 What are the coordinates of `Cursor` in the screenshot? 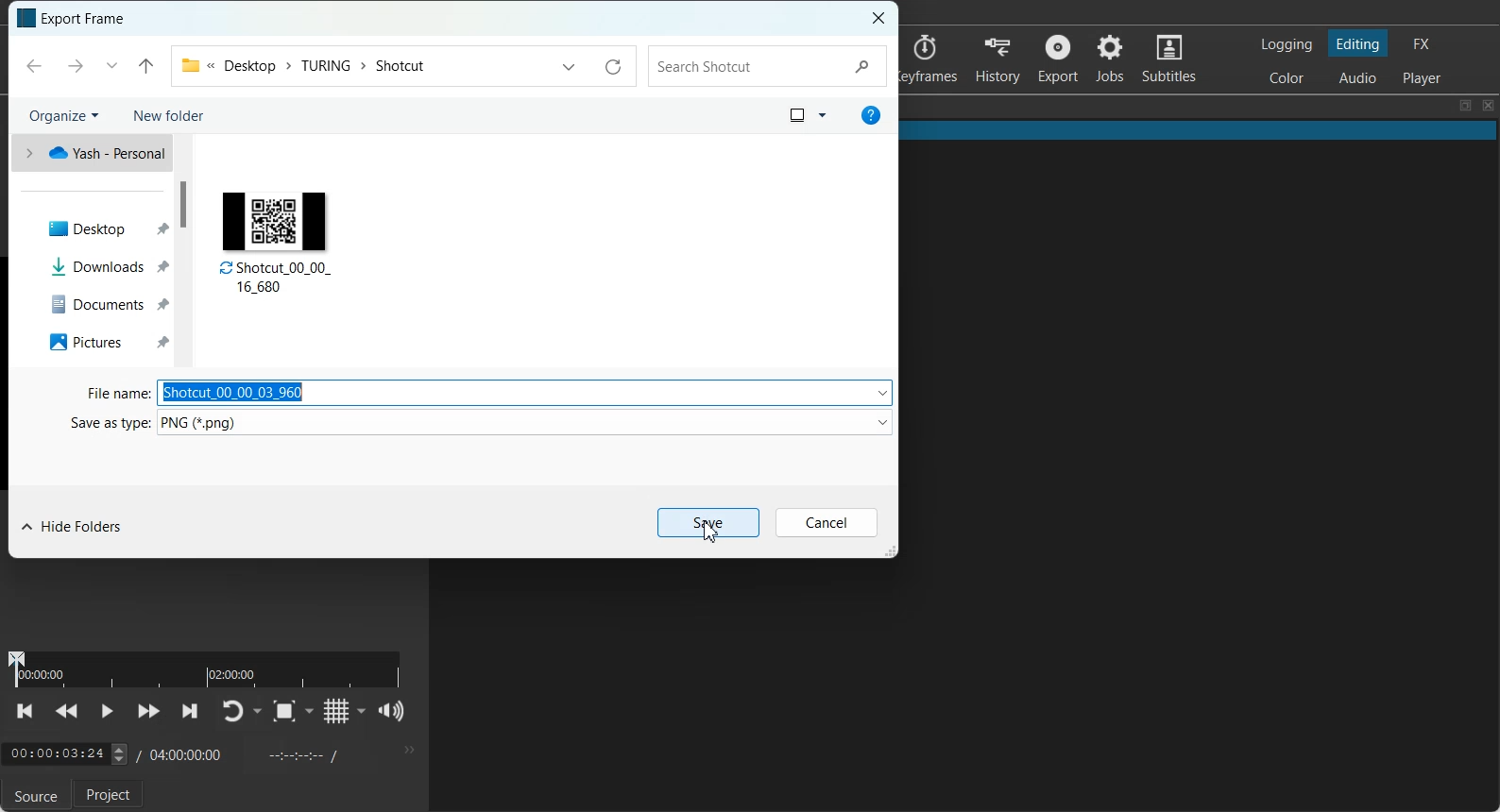 It's located at (709, 531).